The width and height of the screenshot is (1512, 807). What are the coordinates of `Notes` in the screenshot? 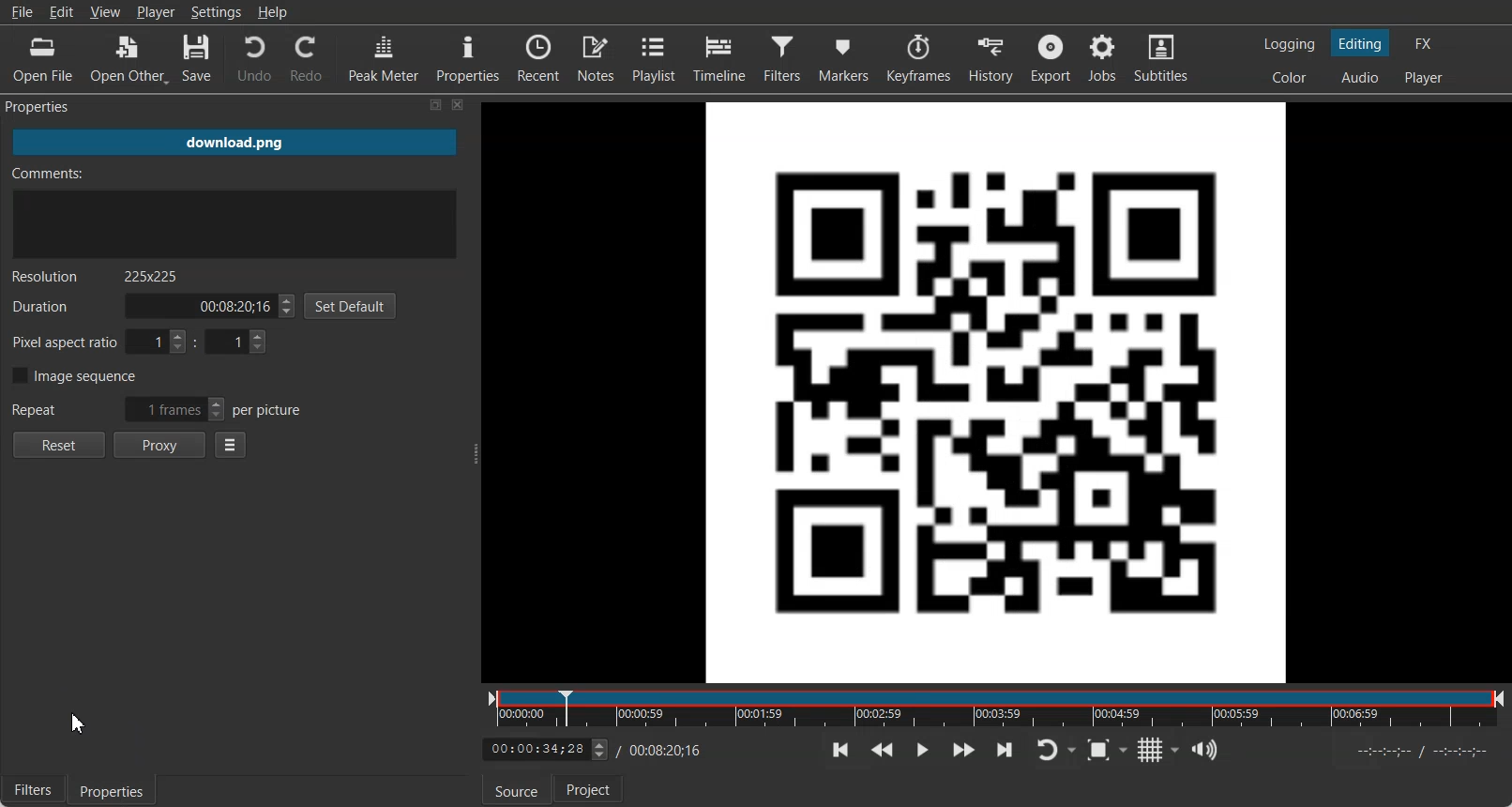 It's located at (596, 57).